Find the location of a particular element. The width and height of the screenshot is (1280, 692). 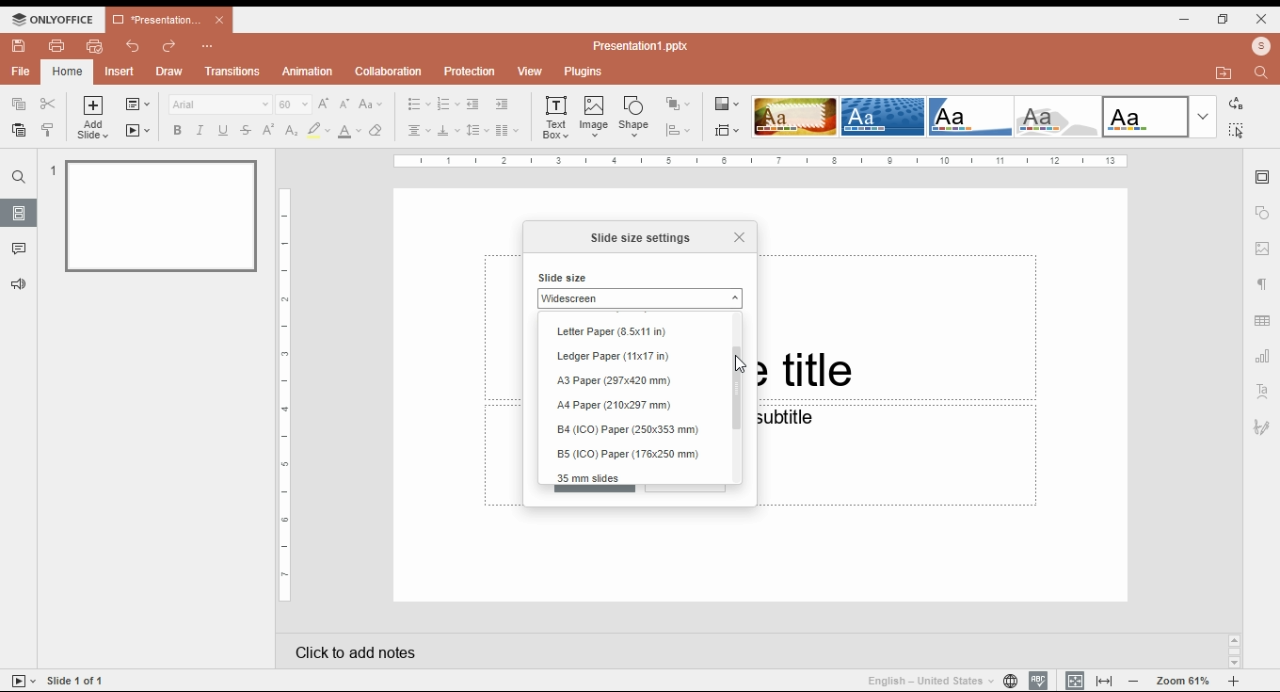

Customize quick access is located at coordinates (208, 46).